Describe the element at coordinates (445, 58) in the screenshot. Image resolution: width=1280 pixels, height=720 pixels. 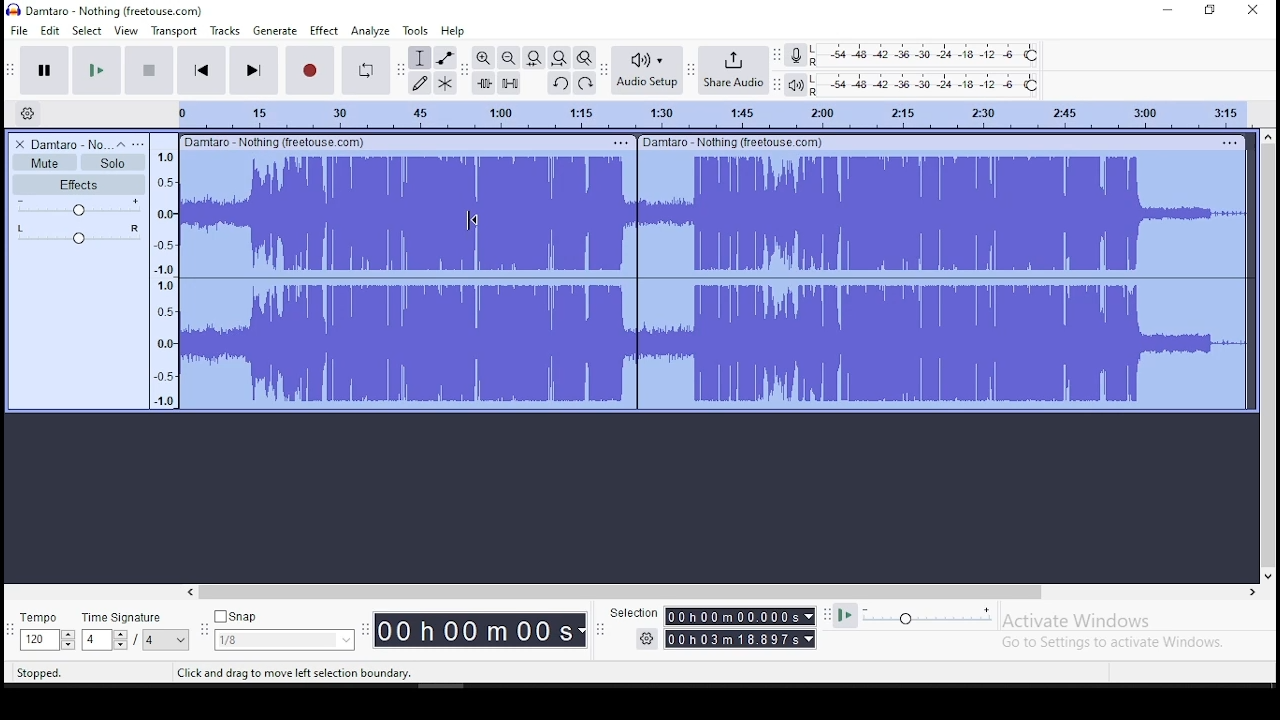
I see `envelope tool` at that location.